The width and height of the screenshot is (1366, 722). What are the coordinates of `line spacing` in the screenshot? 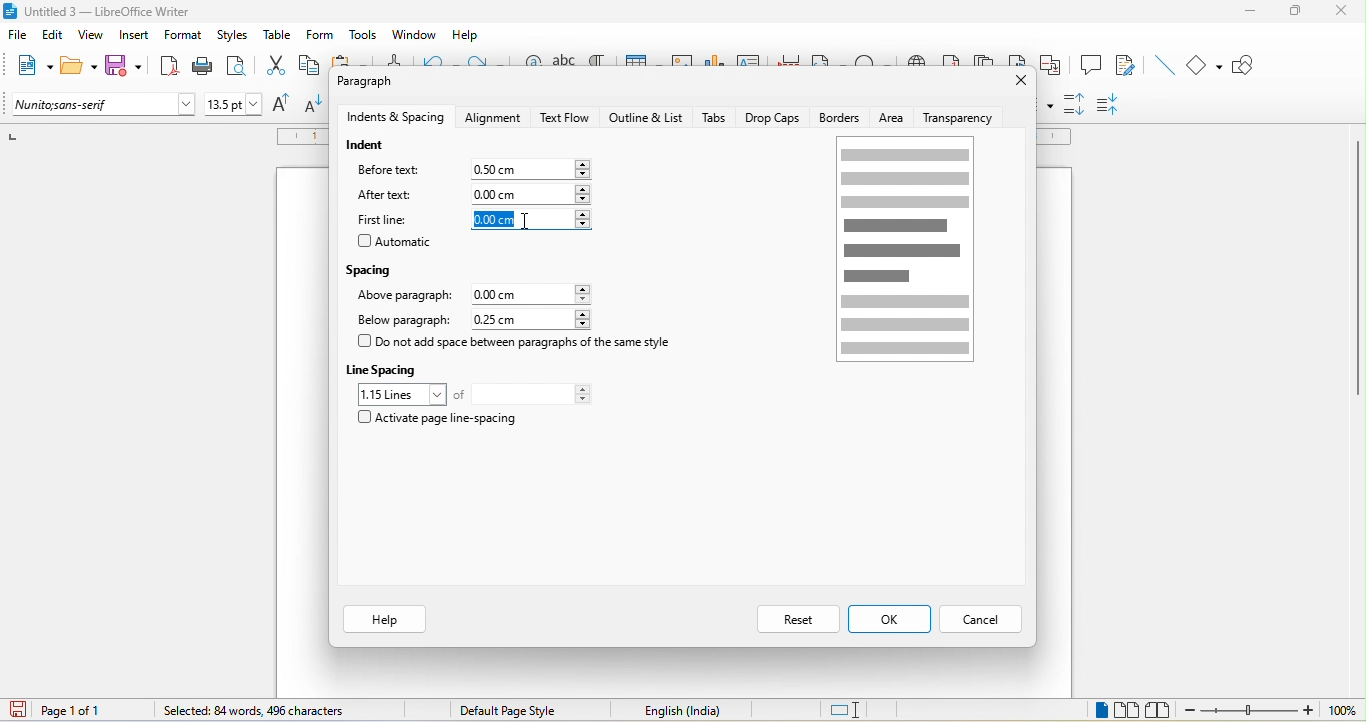 It's located at (381, 370).